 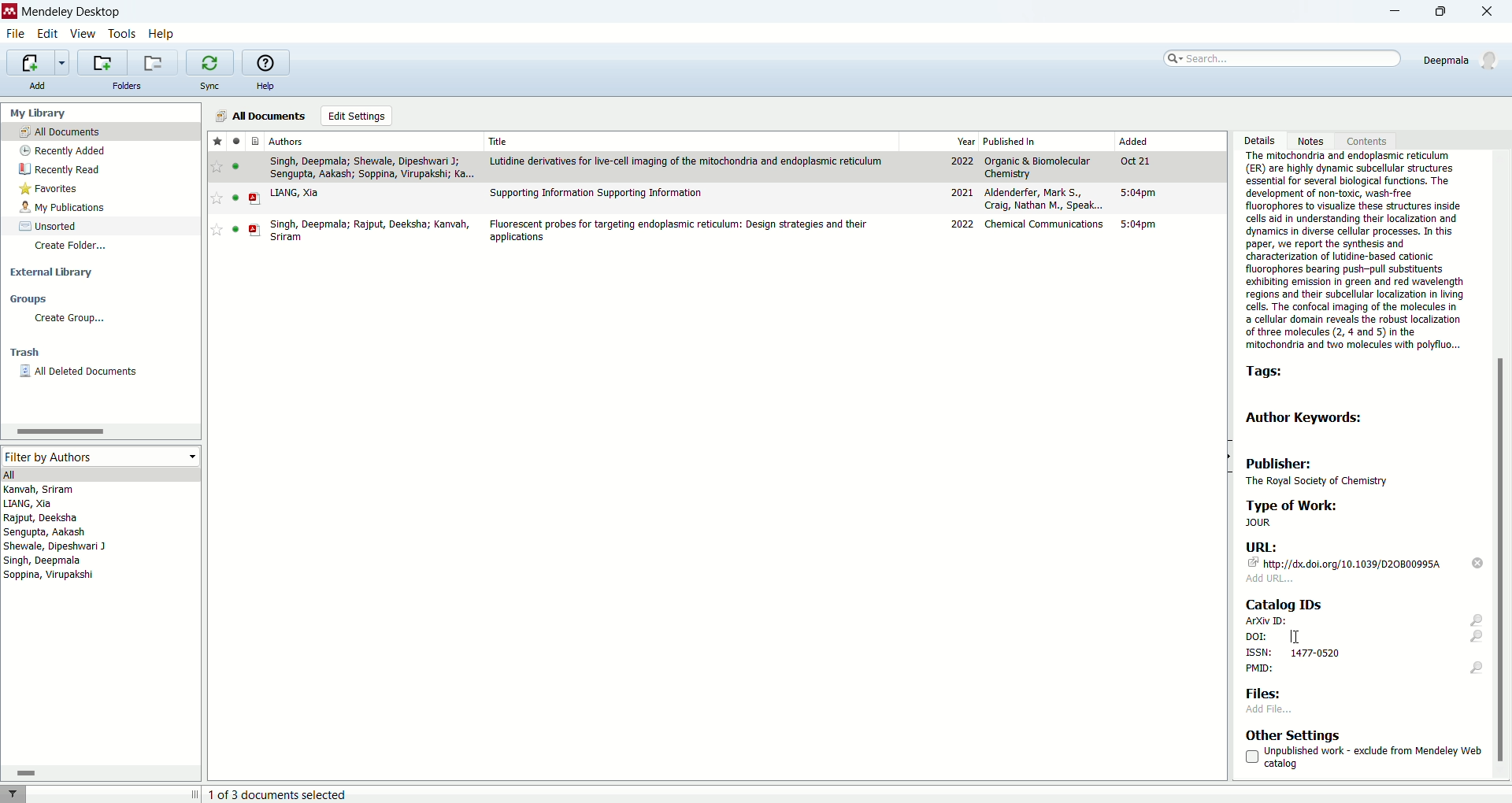 I want to click on author keywords: , so click(x=1308, y=417).